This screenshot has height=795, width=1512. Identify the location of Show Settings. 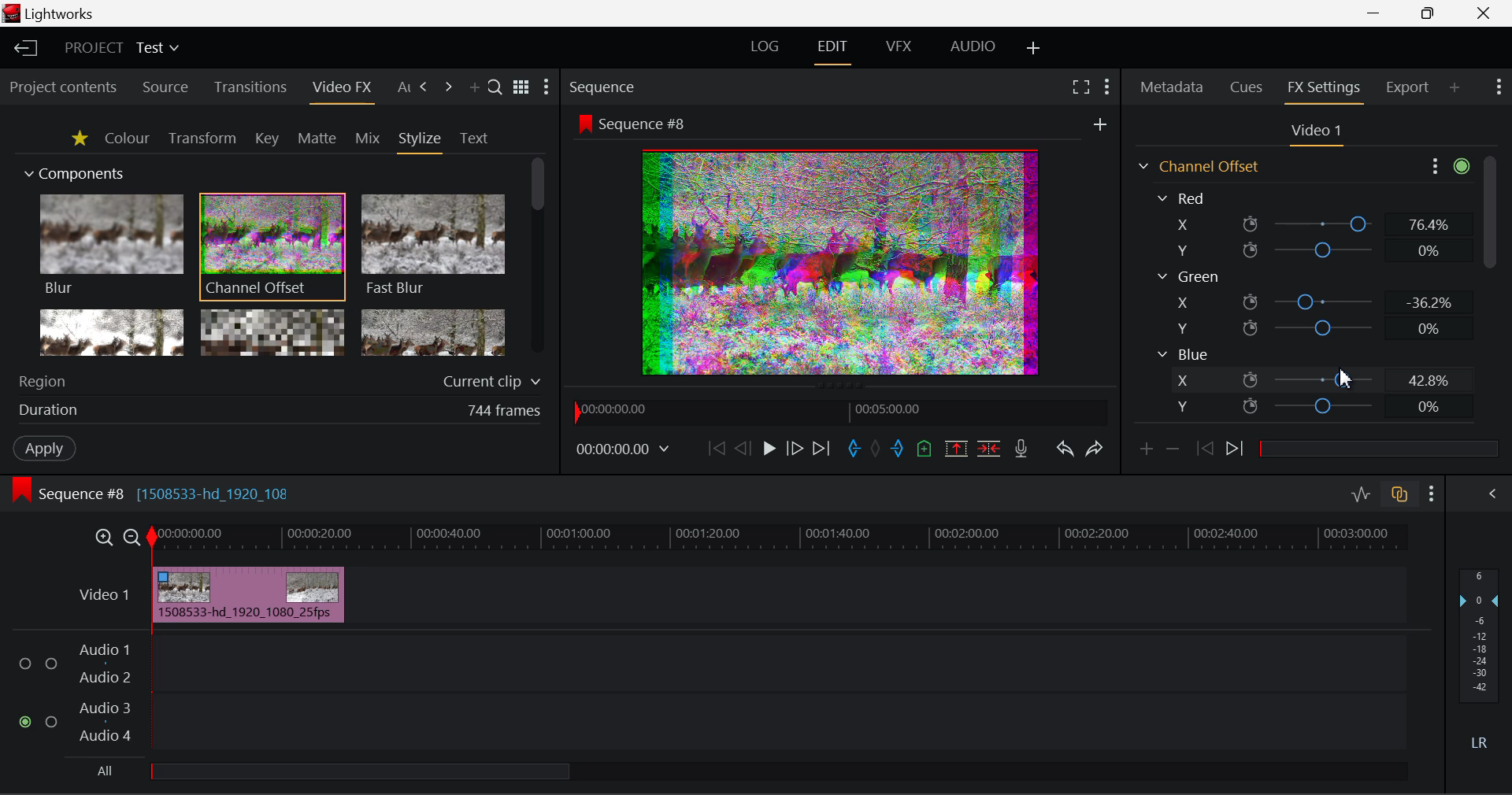
(1106, 89).